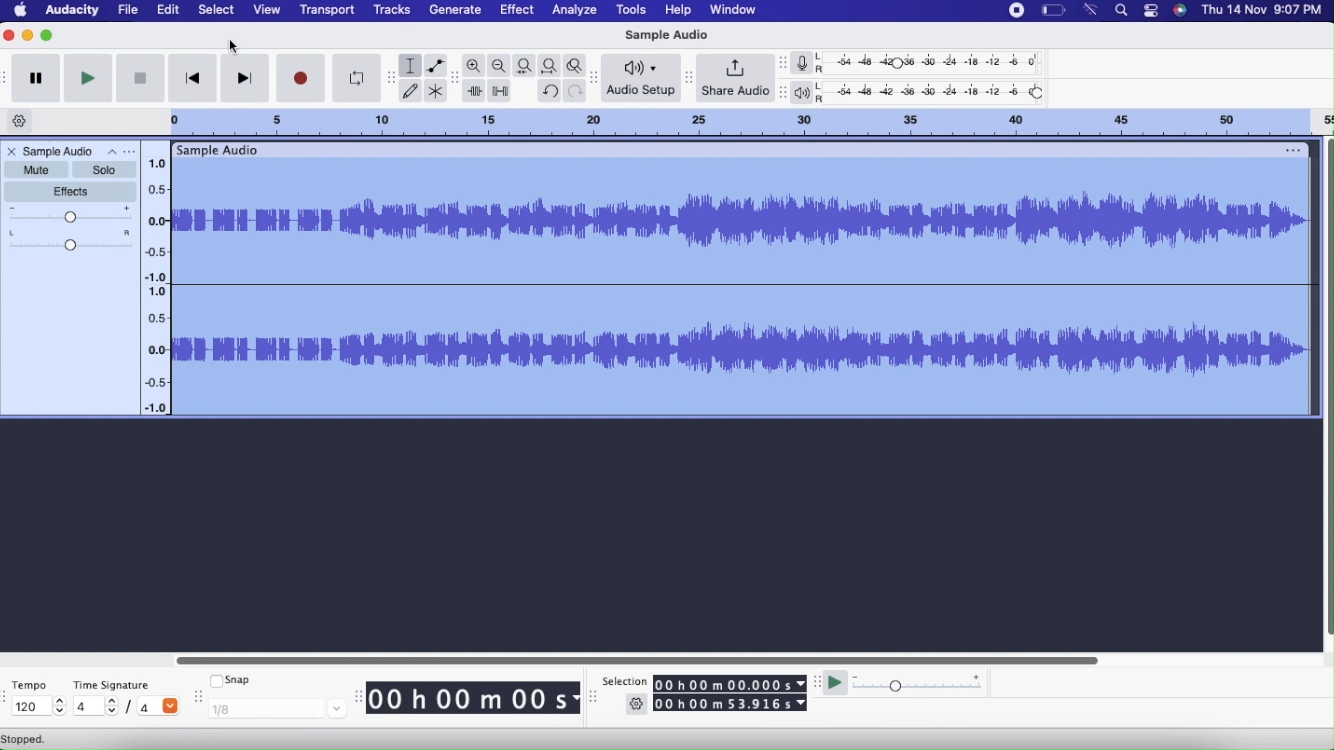  I want to click on Playback meter, so click(806, 92).